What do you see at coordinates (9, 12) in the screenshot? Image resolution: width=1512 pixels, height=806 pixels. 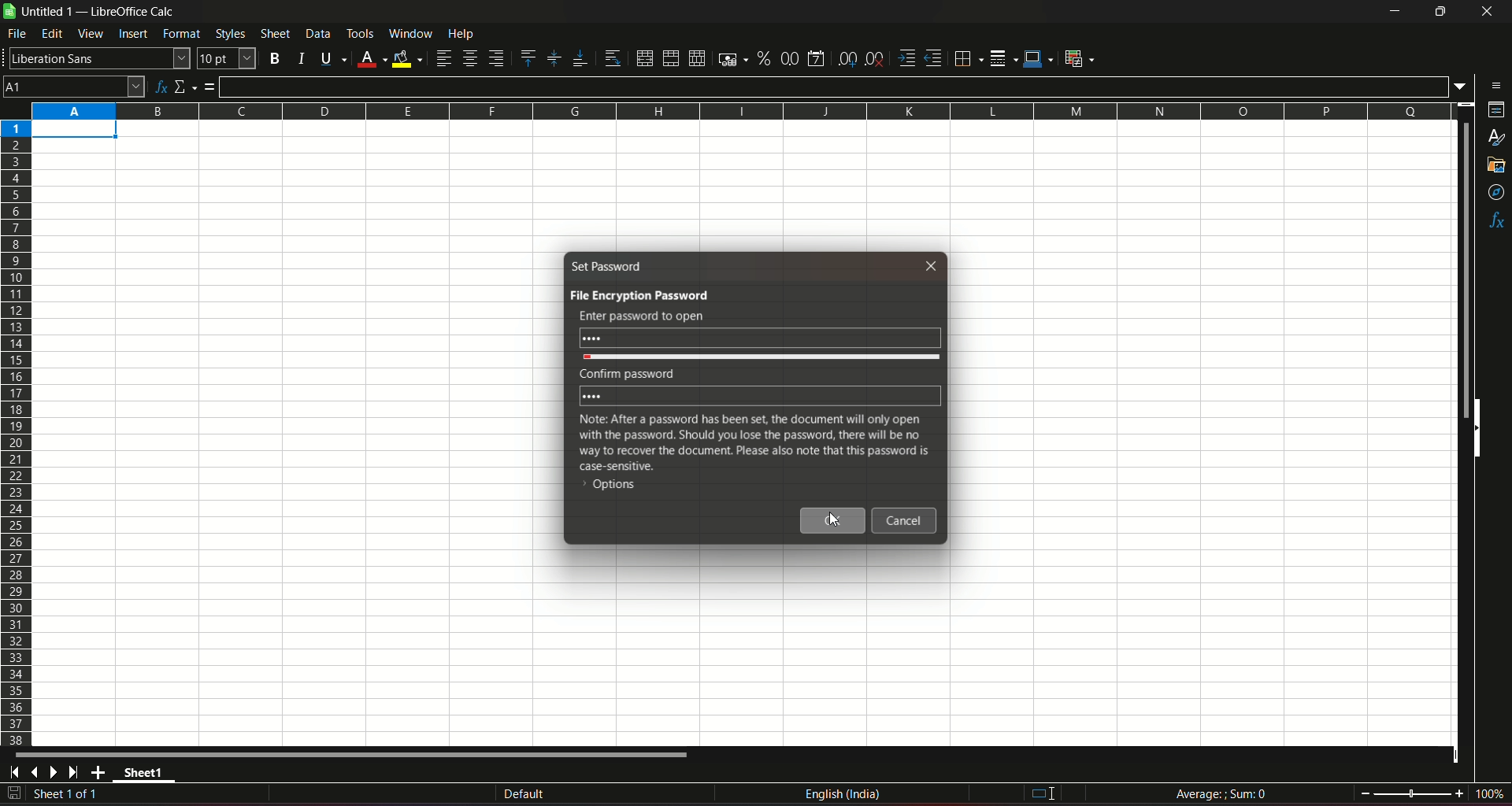 I see `libreoffice calc logo` at bounding box center [9, 12].